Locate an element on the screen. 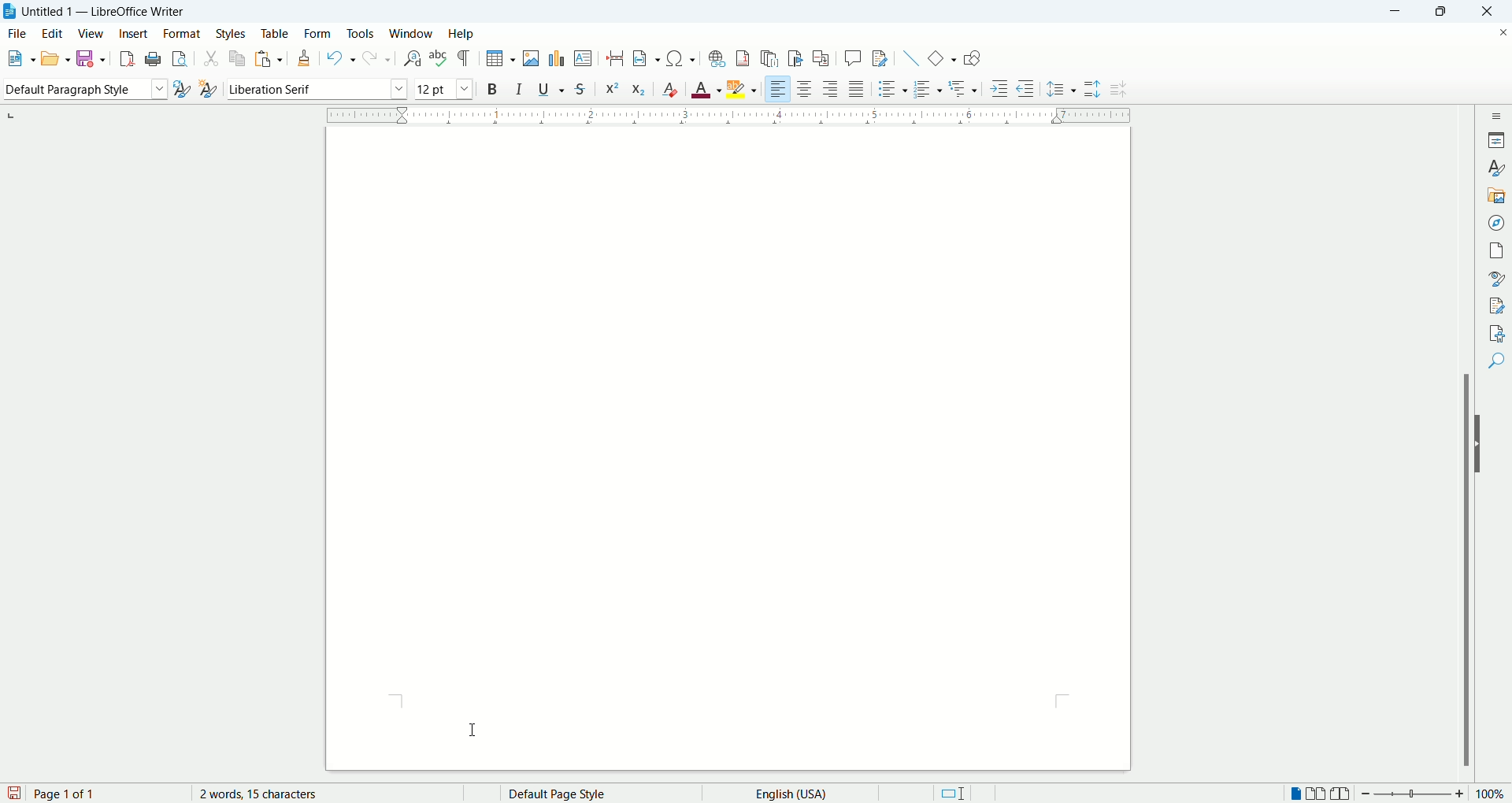 This screenshot has width=1512, height=803. unordered list is located at coordinates (890, 89).